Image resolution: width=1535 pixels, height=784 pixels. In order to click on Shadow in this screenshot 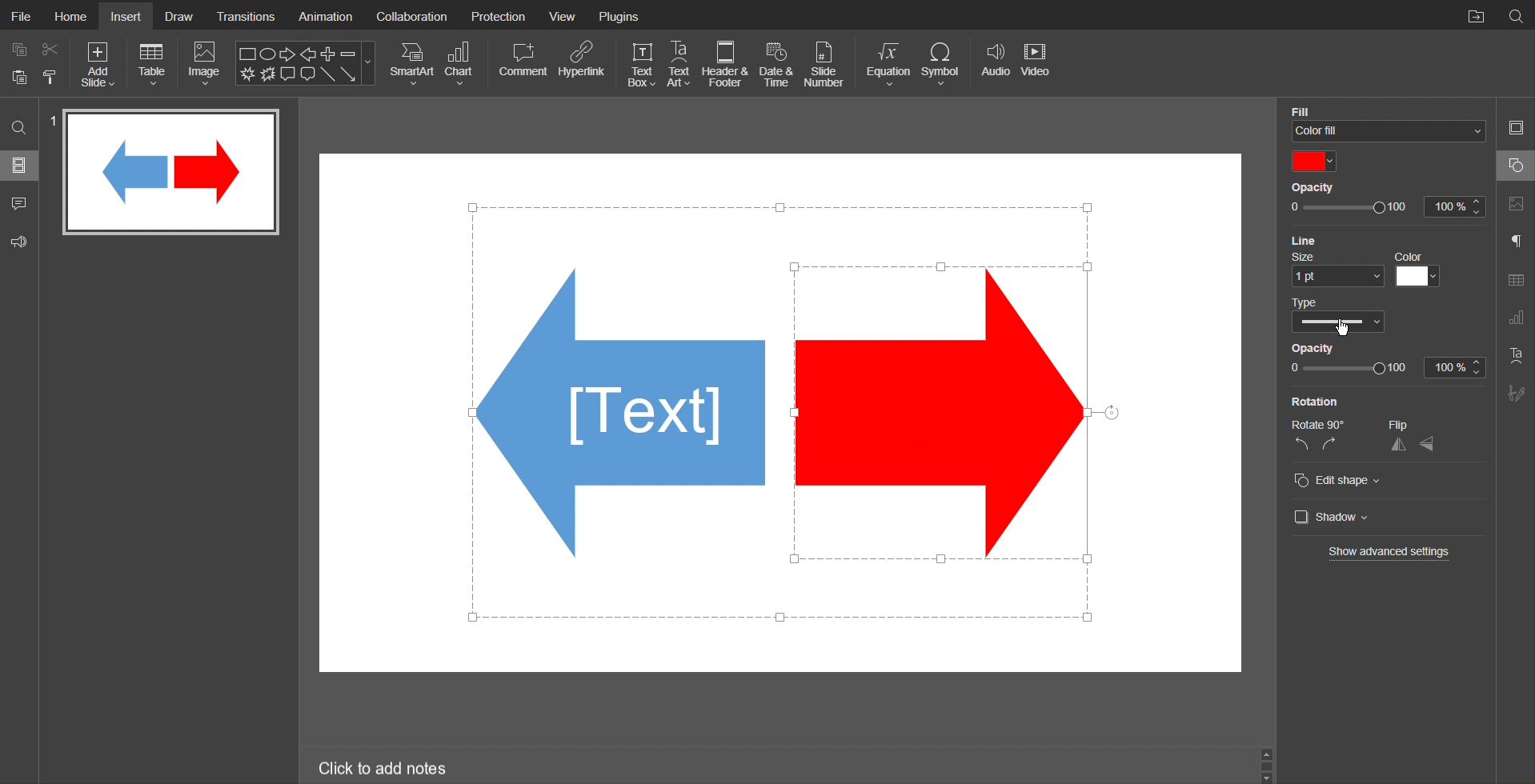, I will do `click(1336, 518)`.